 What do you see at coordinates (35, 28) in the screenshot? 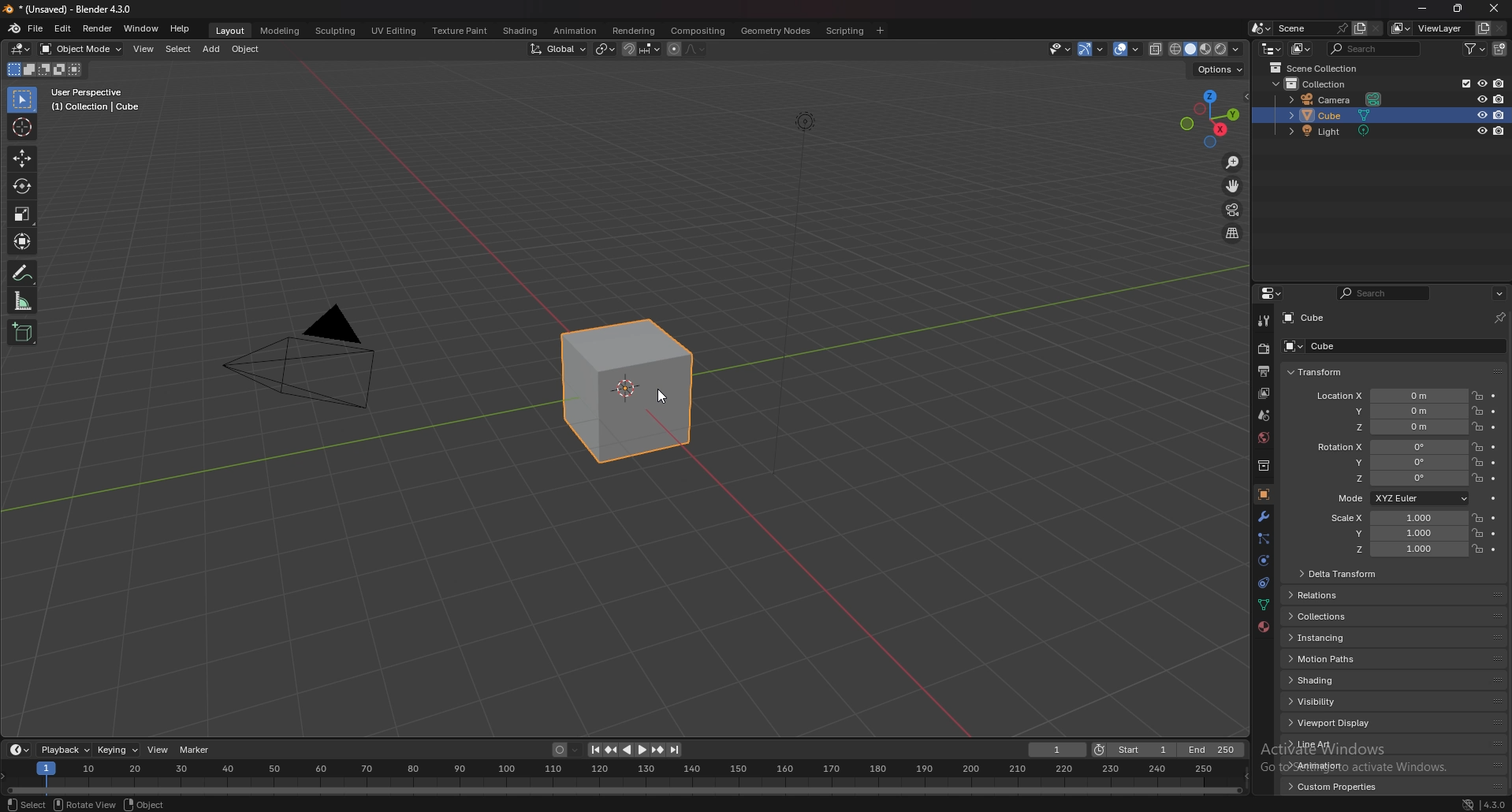
I see `file` at bounding box center [35, 28].